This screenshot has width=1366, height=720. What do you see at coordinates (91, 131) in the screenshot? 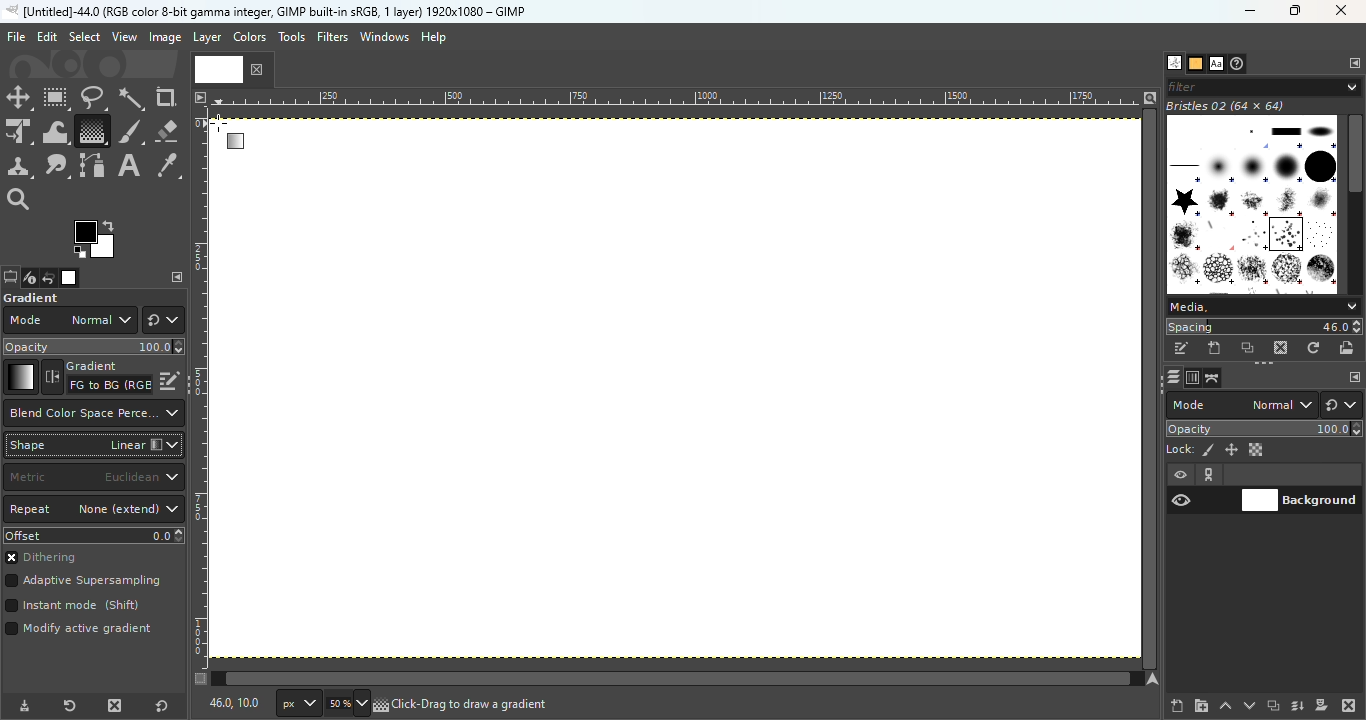
I see `Gradient tool` at bounding box center [91, 131].